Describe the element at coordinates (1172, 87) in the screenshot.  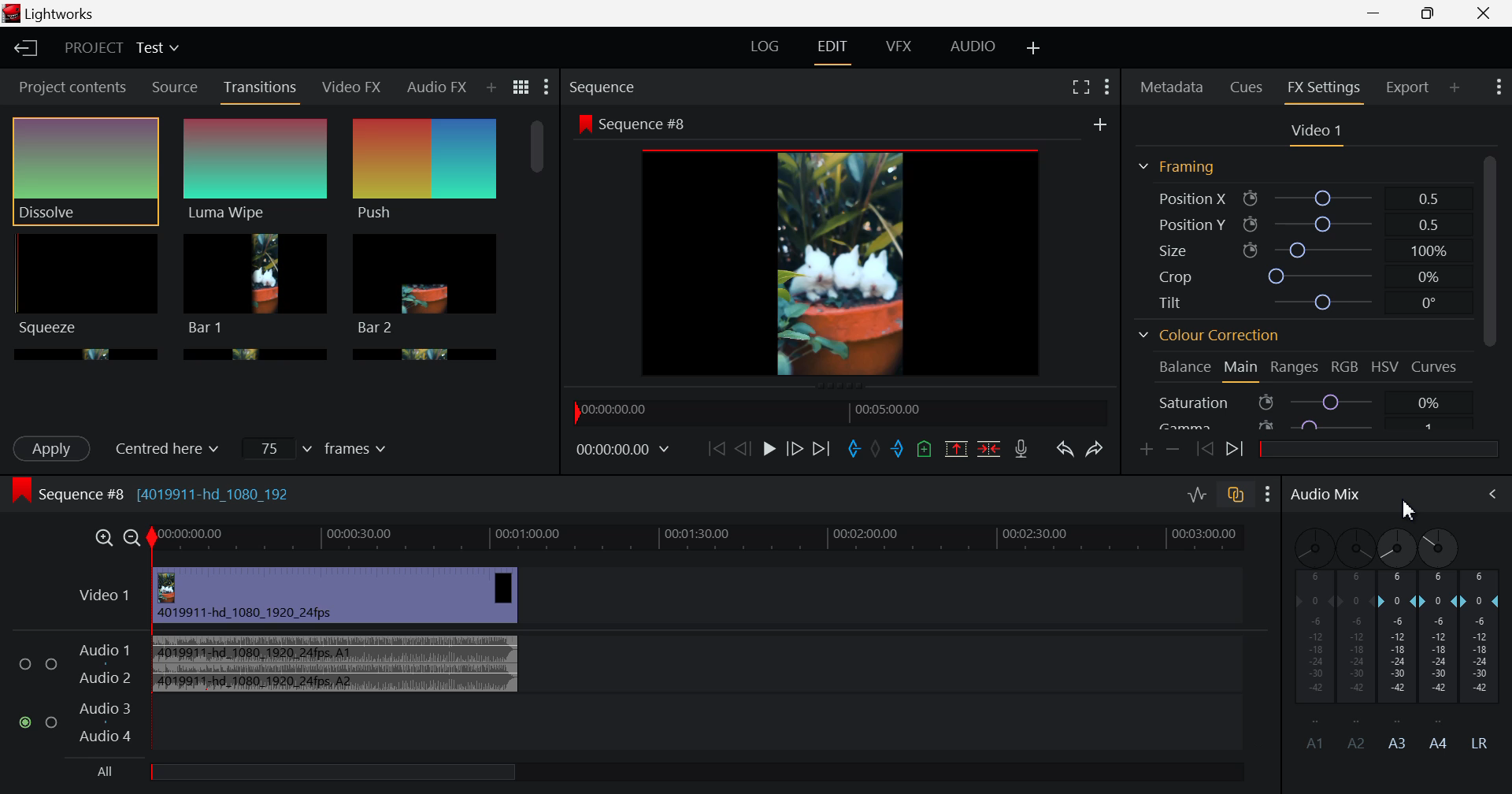
I see `Metadata` at that location.